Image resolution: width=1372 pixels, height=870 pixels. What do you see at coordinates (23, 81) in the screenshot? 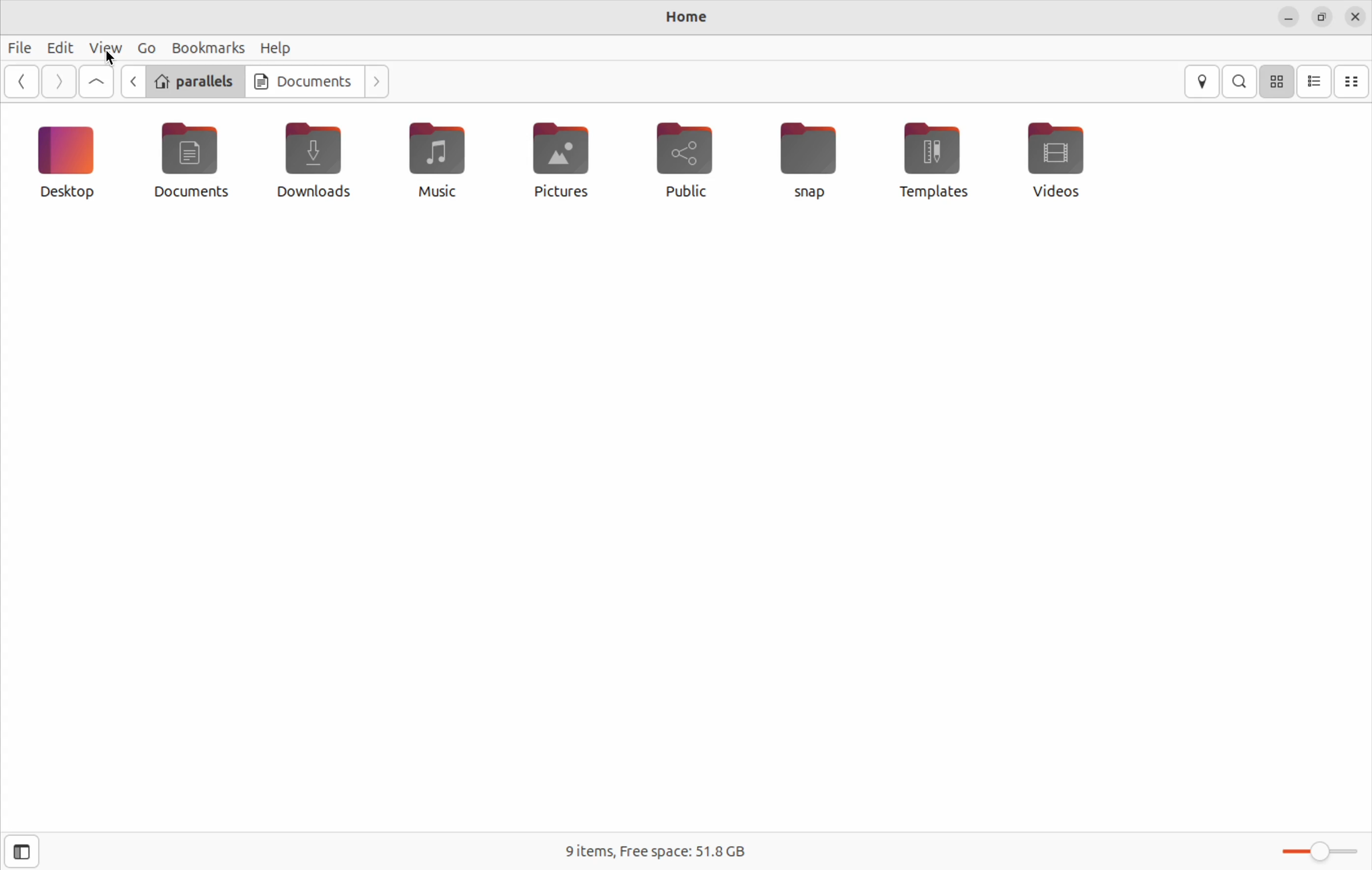
I see `Go back ward` at bounding box center [23, 81].